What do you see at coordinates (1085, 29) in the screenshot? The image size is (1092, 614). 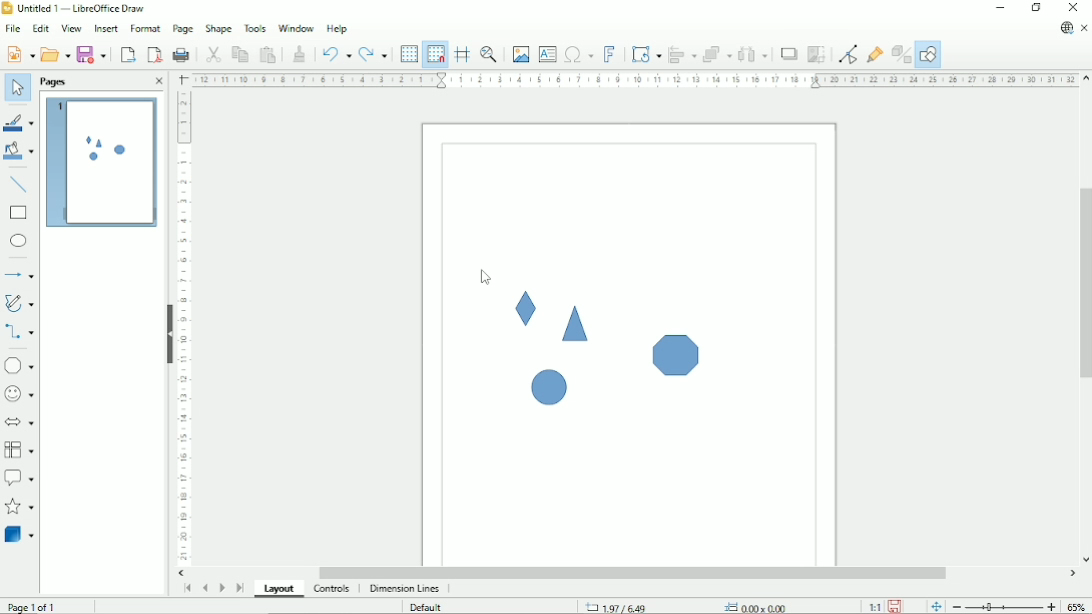 I see `Close document` at bounding box center [1085, 29].